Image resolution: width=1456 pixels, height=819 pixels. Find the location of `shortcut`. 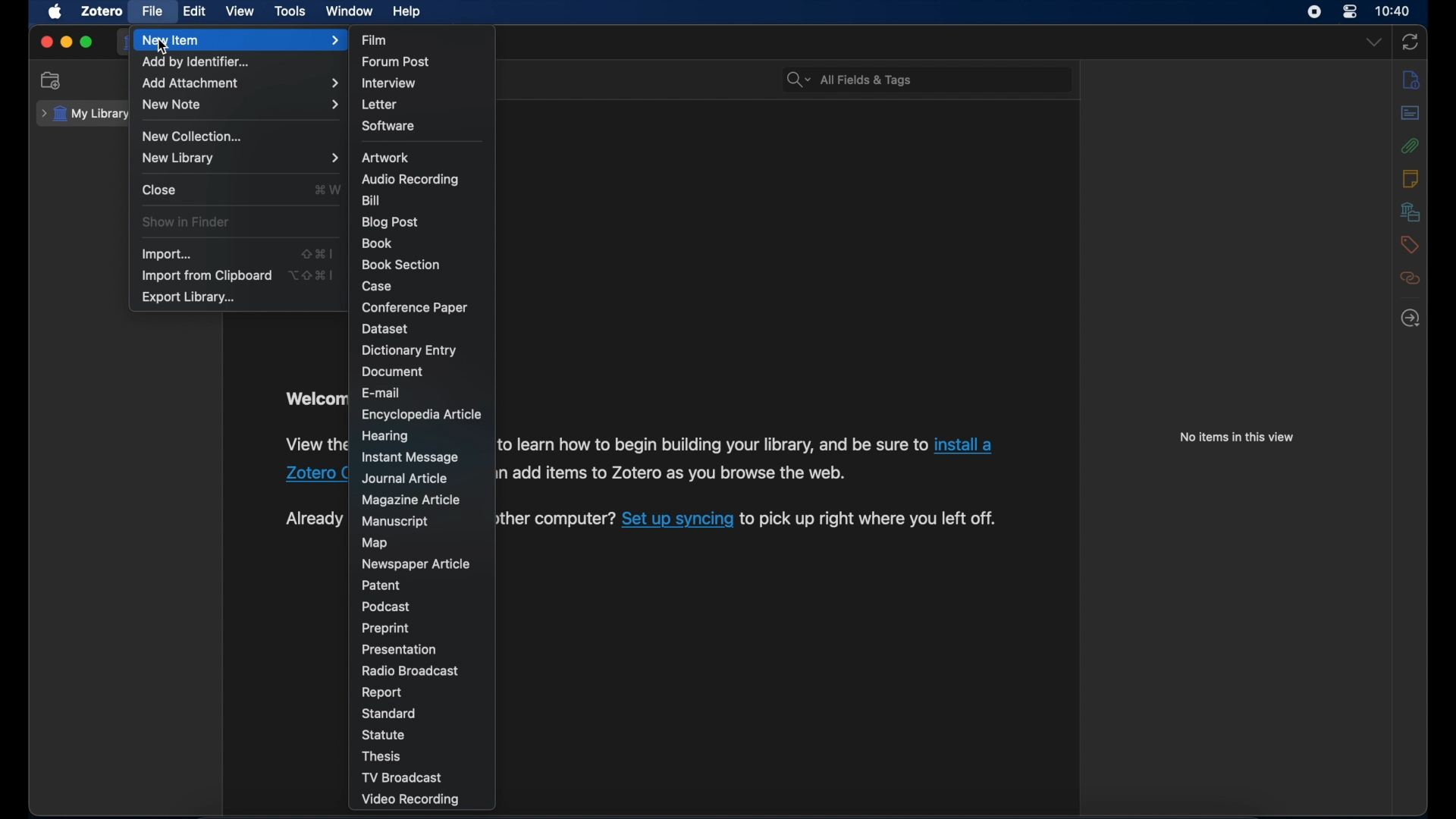

shortcut is located at coordinates (328, 189).